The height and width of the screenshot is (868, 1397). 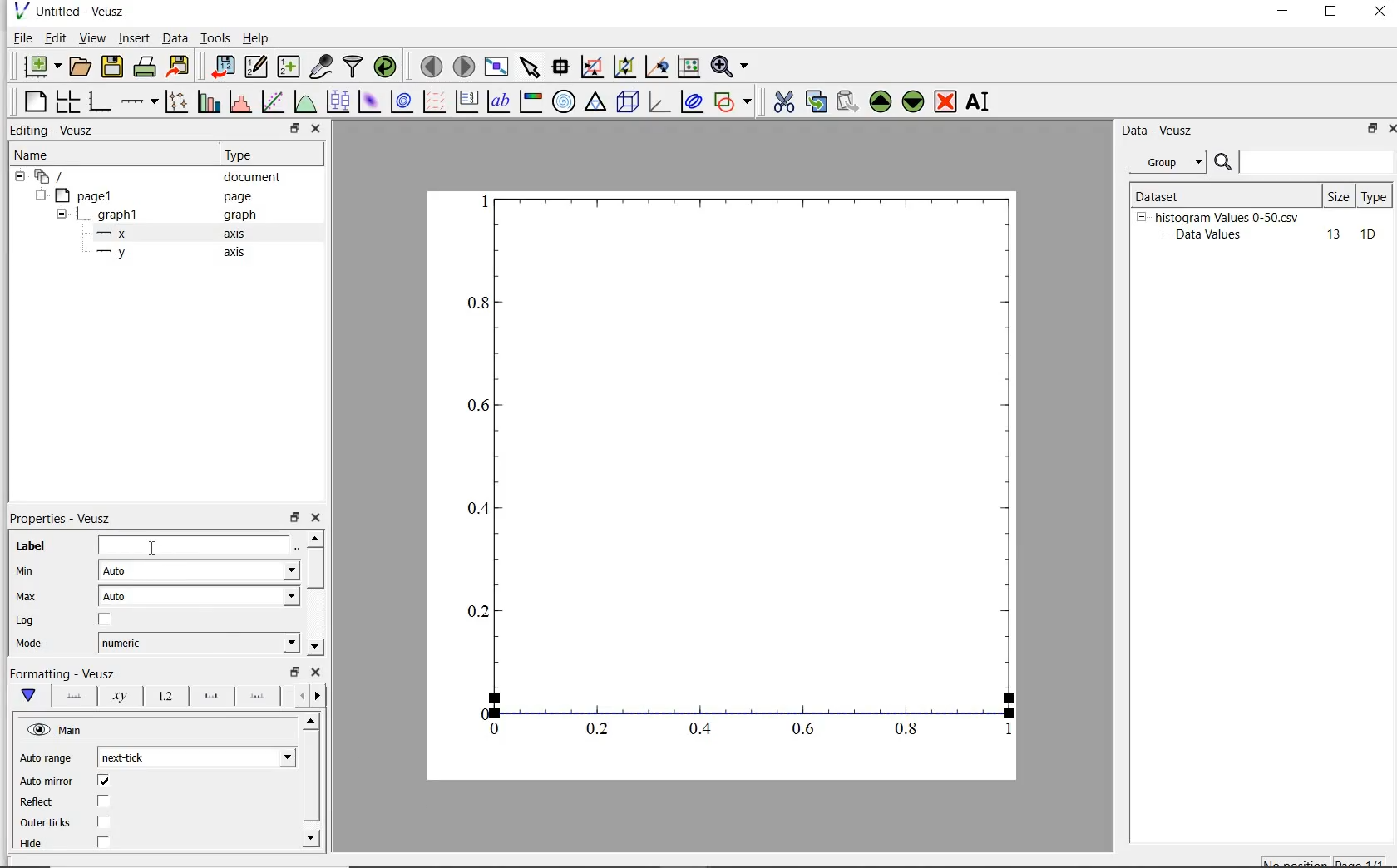 What do you see at coordinates (29, 645) in the screenshot?
I see `| Mode` at bounding box center [29, 645].